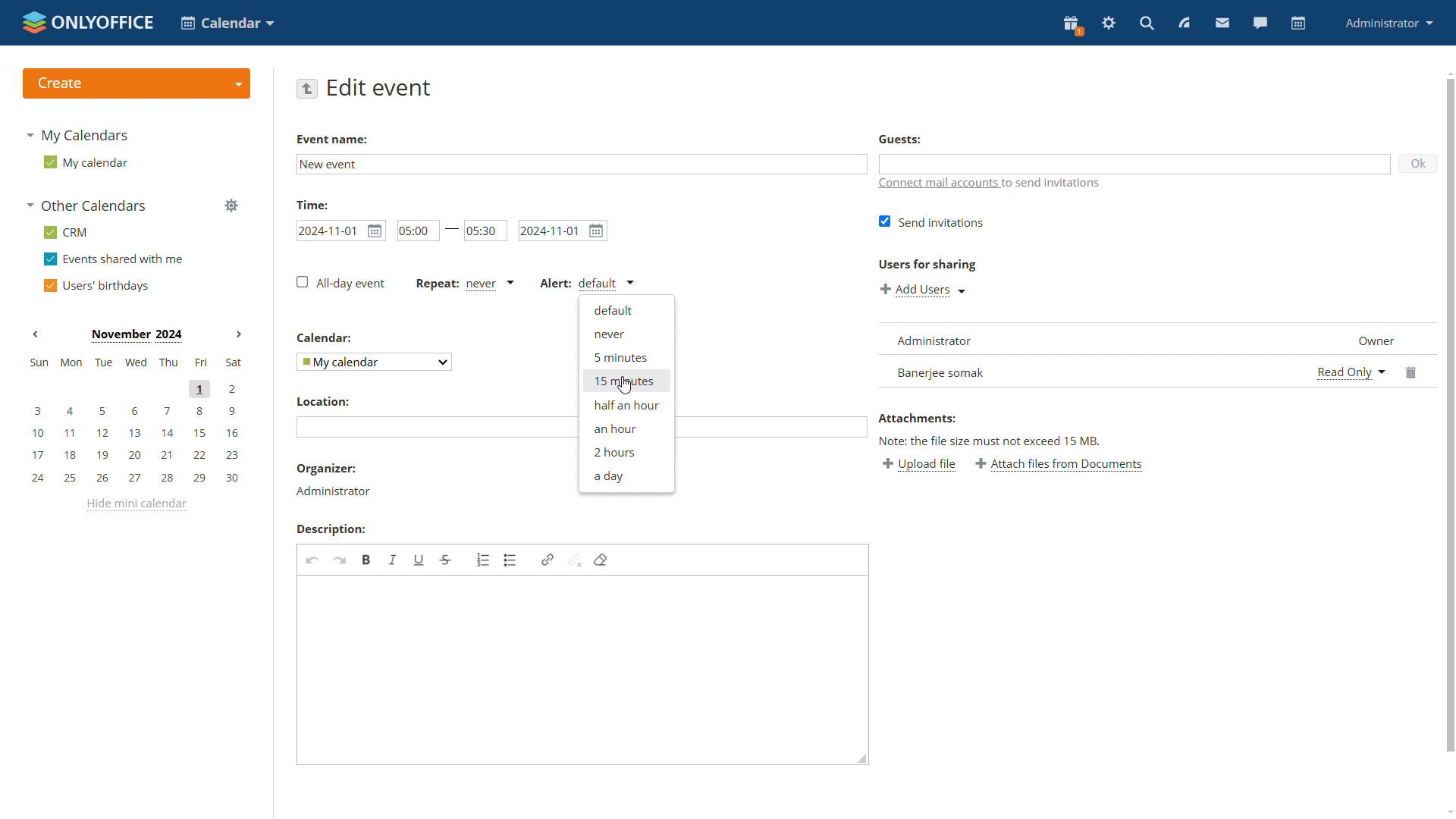 The image size is (1456, 819). What do you see at coordinates (1414, 370) in the screenshot?
I see `delete` at bounding box center [1414, 370].